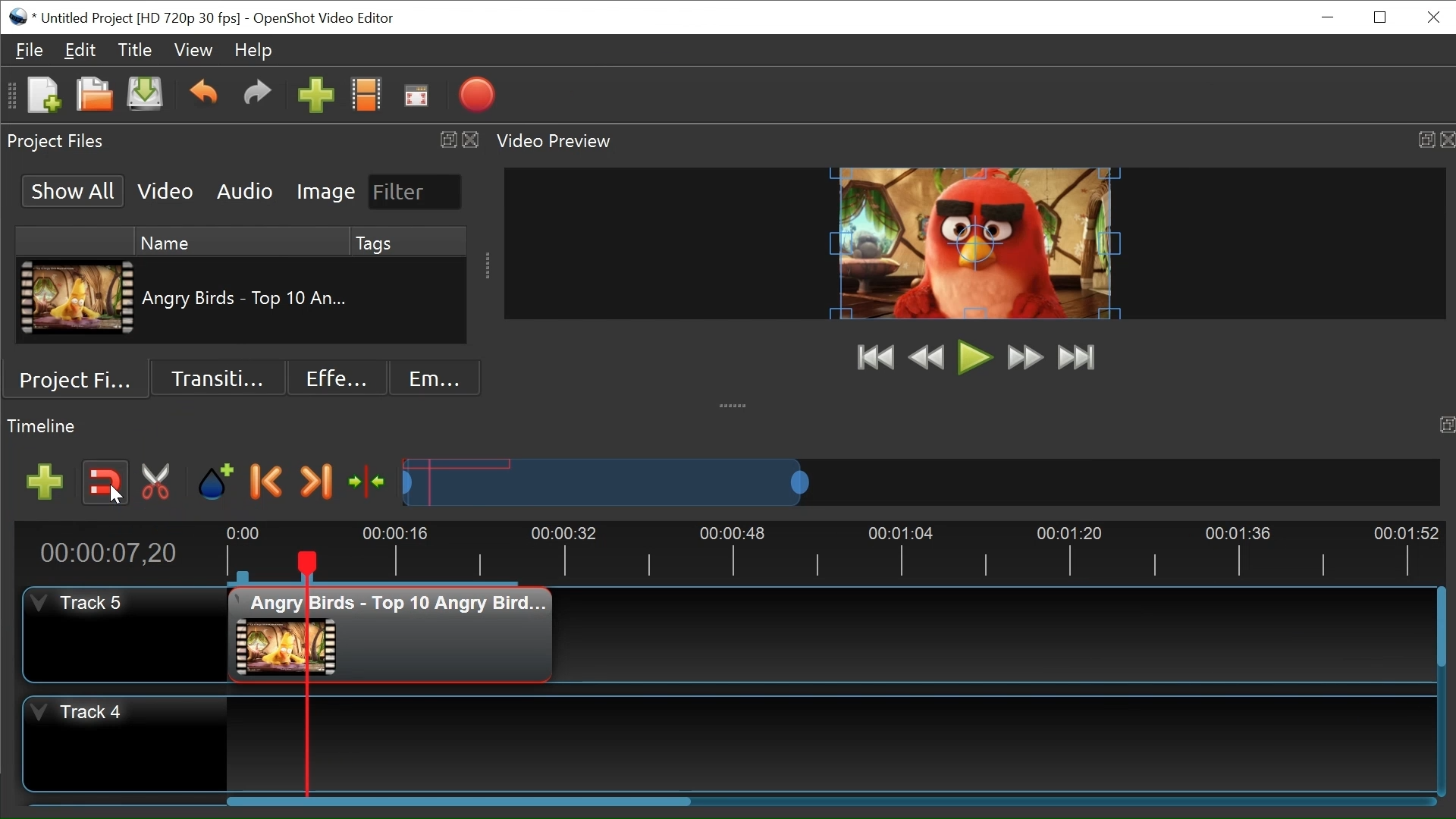  I want to click on Show All, so click(74, 190).